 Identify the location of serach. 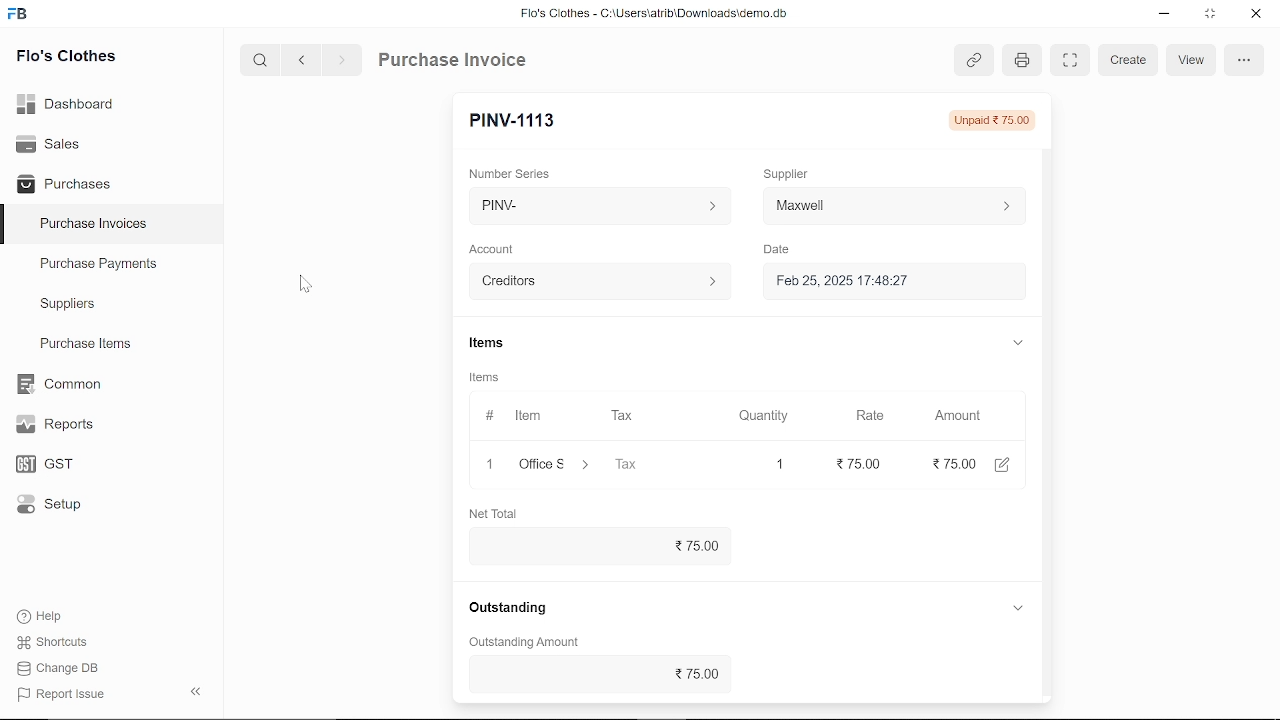
(258, 61).